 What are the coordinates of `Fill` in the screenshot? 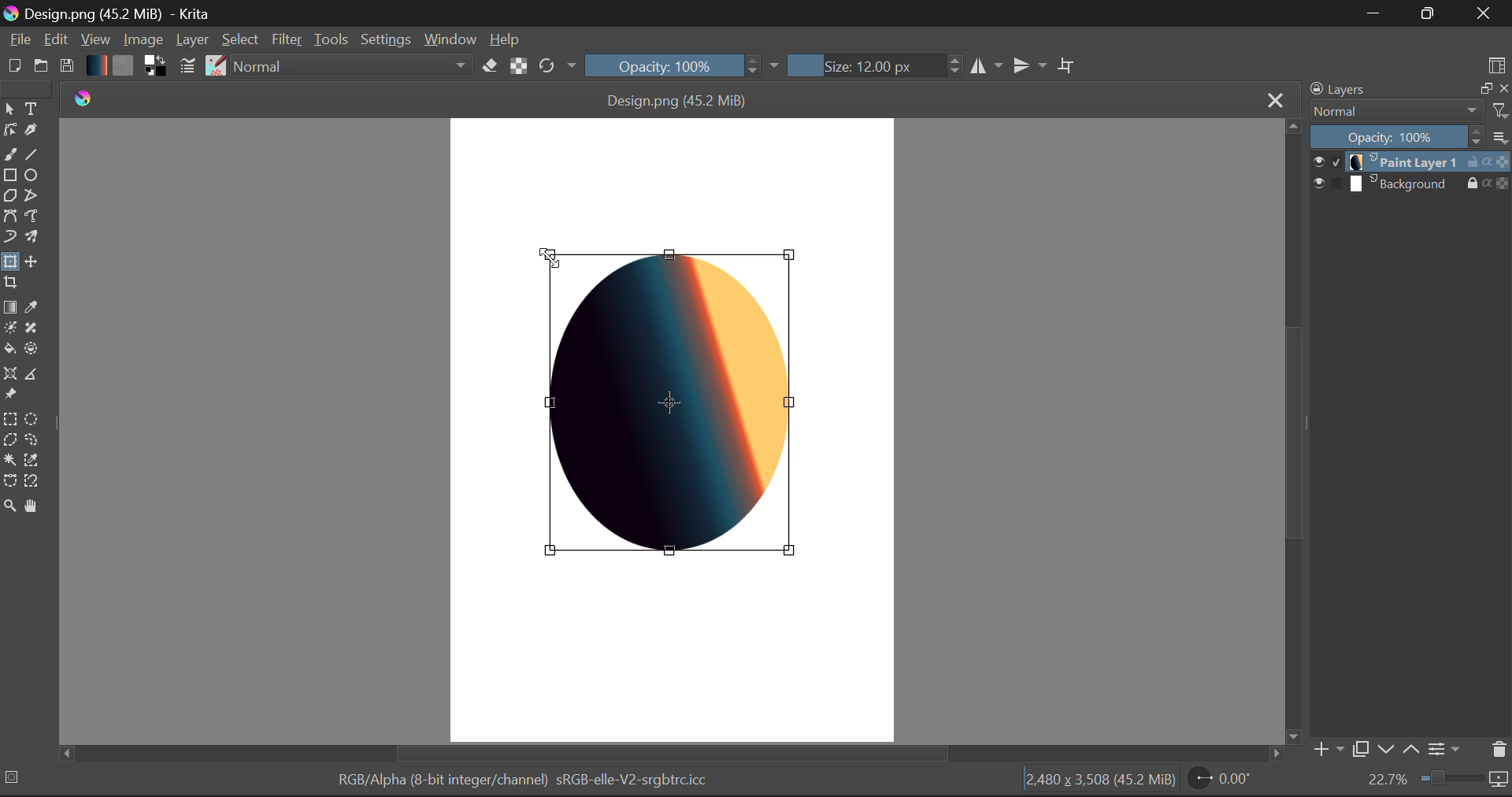 It's located at (10, 348).